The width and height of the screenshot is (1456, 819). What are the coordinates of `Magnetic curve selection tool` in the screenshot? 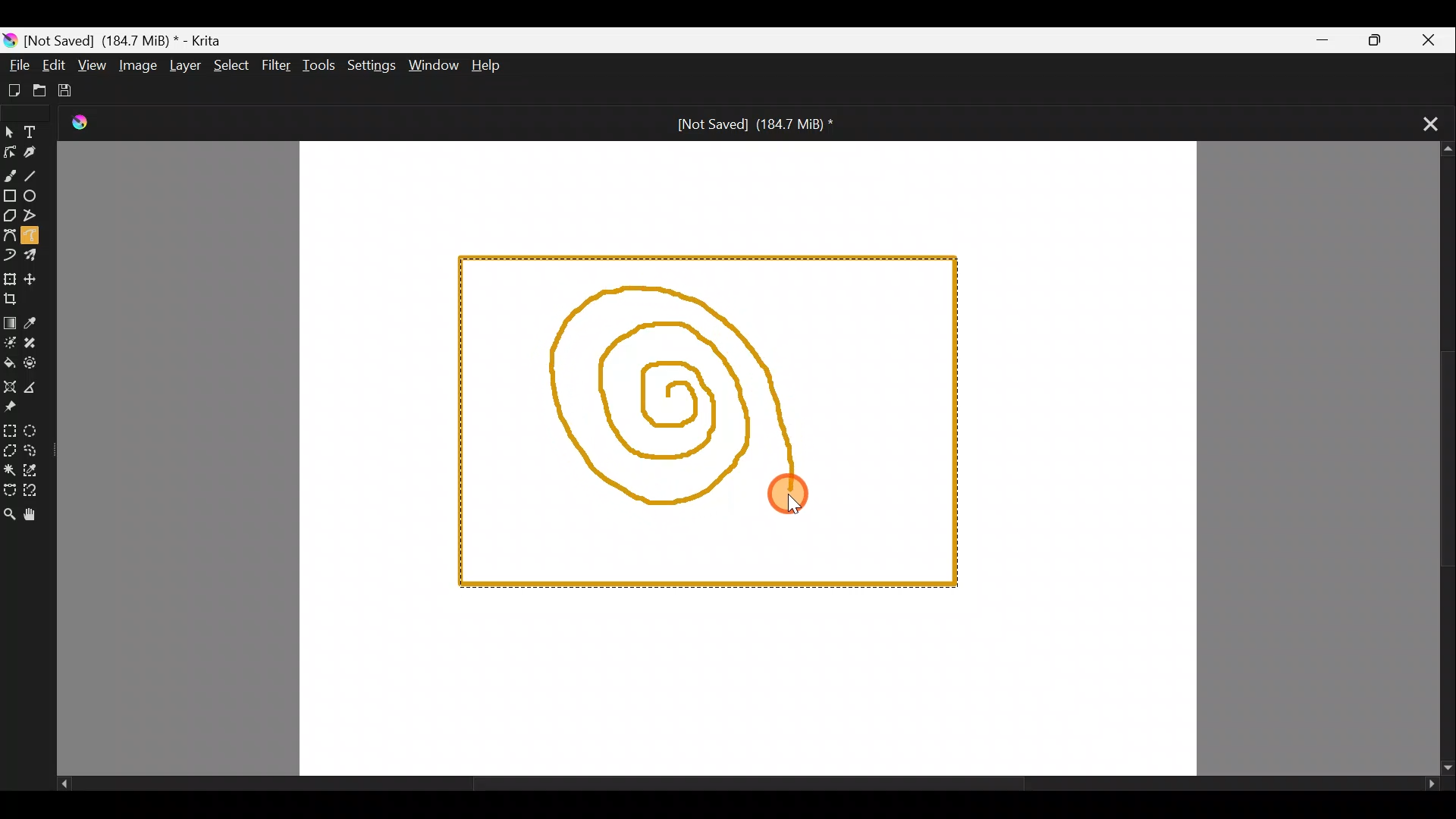 It's located at (35, 492).